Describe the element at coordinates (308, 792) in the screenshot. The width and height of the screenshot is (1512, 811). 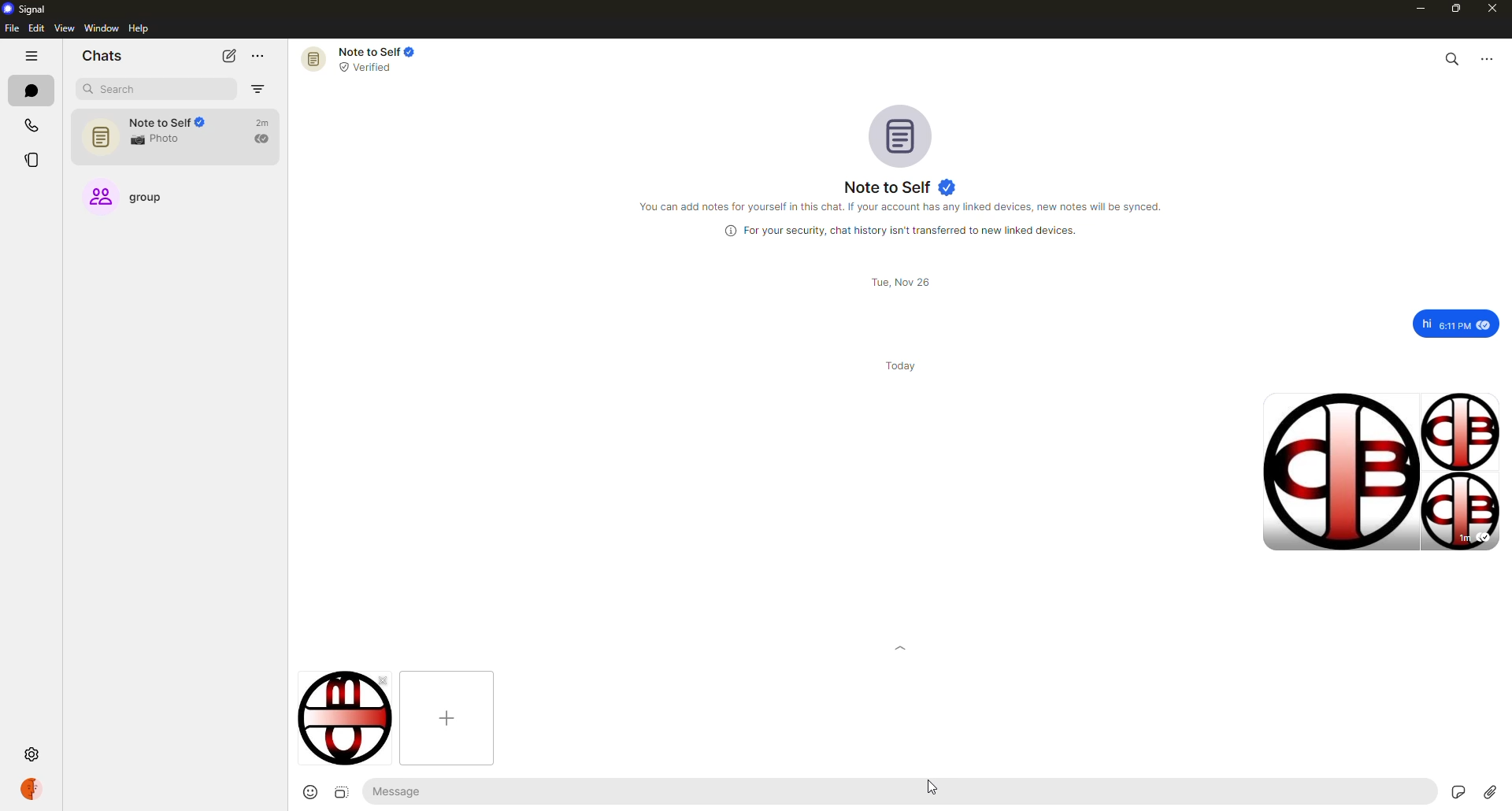
I see `emoji` at that location.